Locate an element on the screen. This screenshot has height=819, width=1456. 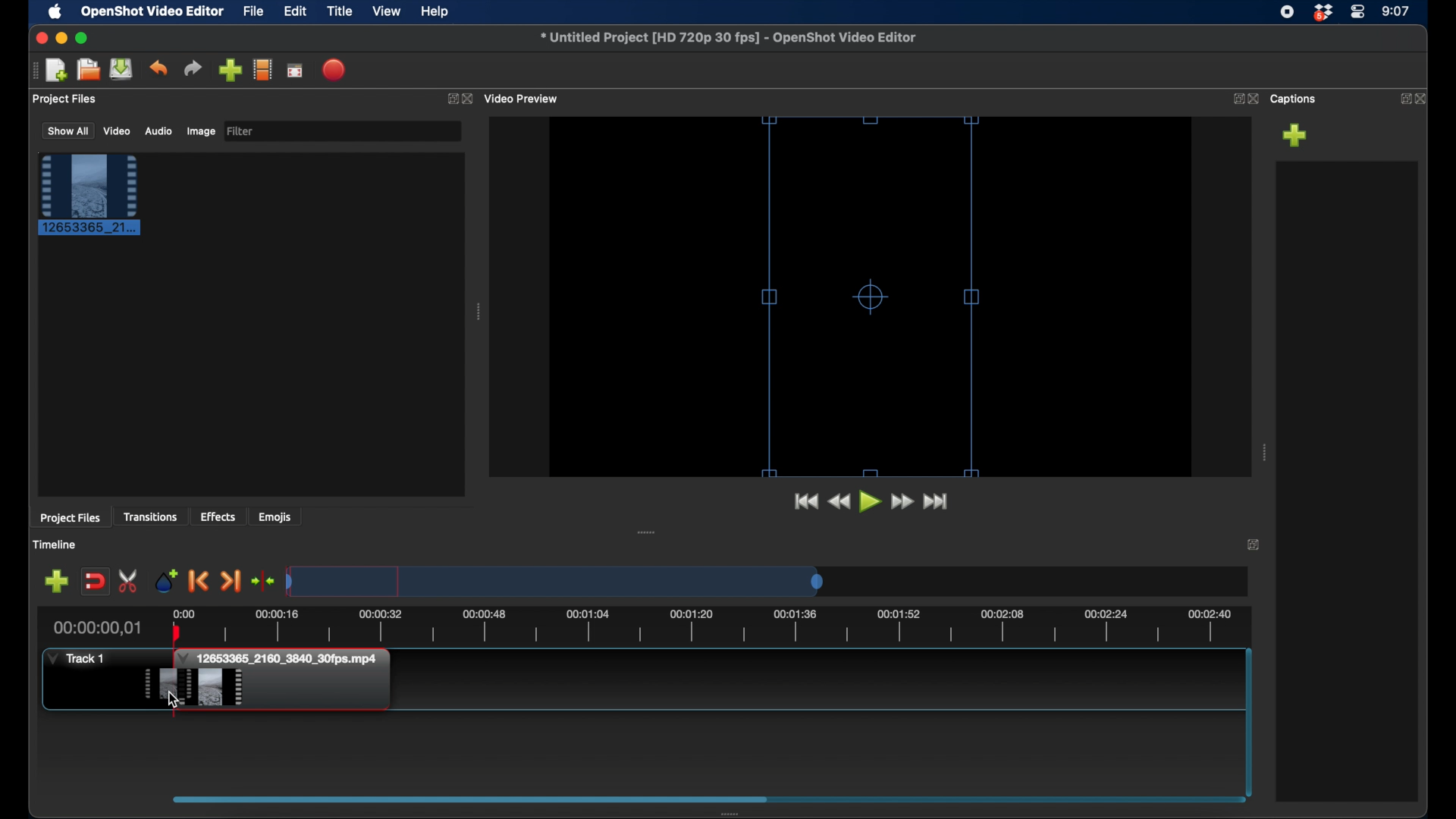
minimize is located at coordinates (63, 38).